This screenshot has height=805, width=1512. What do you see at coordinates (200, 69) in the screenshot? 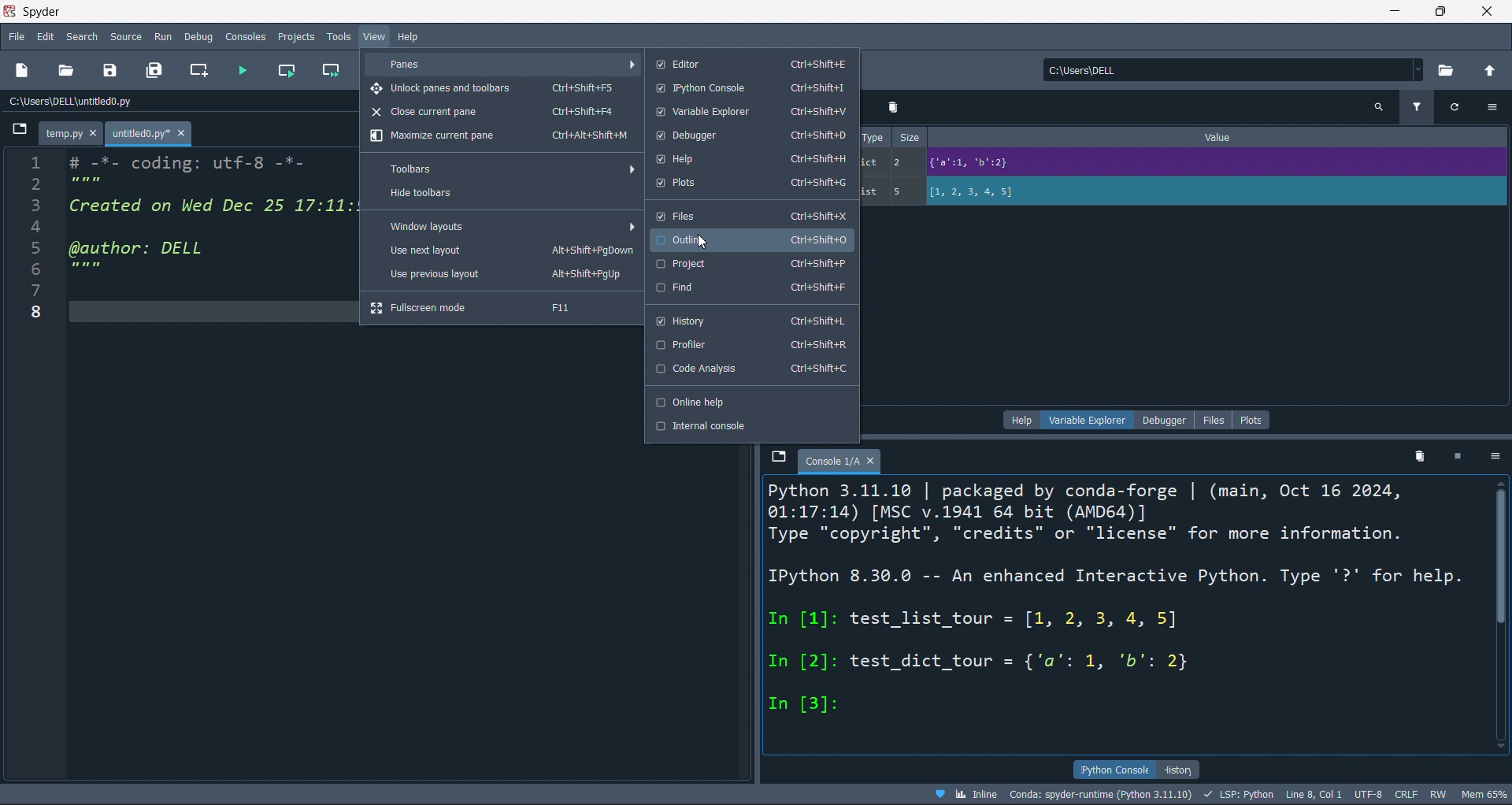
I see `new cell` at bounding box center [200, 69].